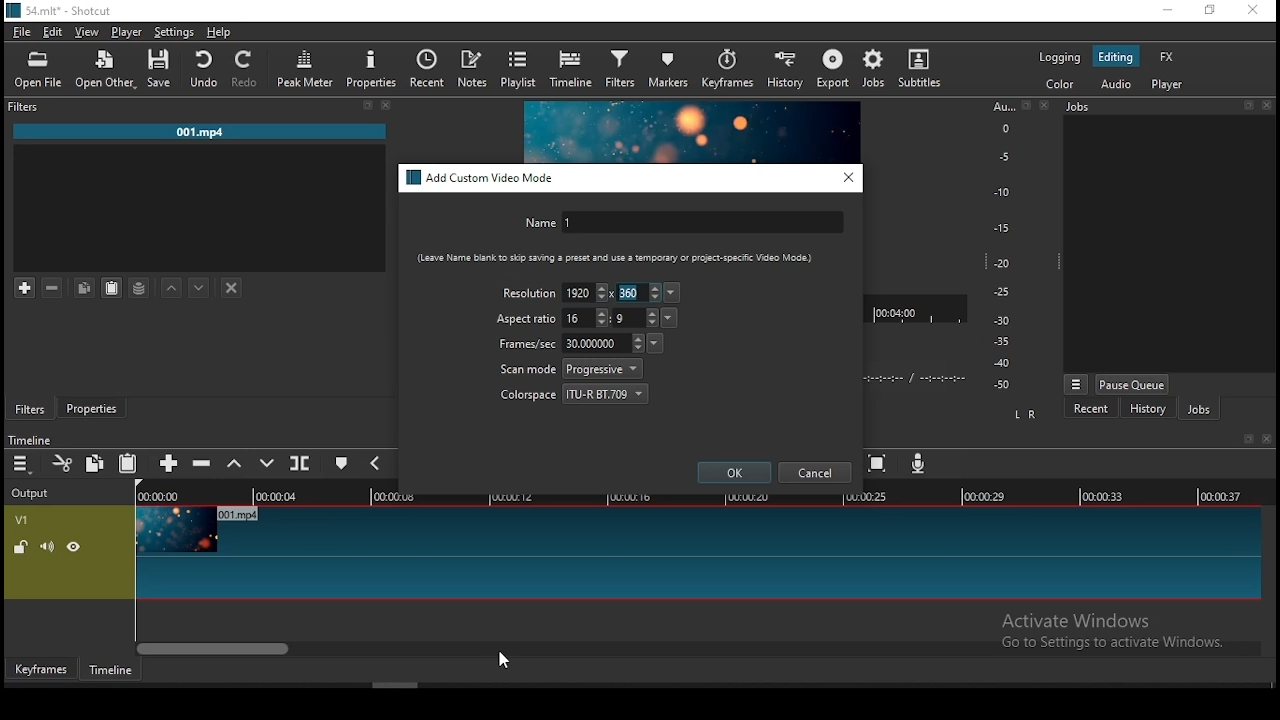  I want to click on lift, so click(235, 464).